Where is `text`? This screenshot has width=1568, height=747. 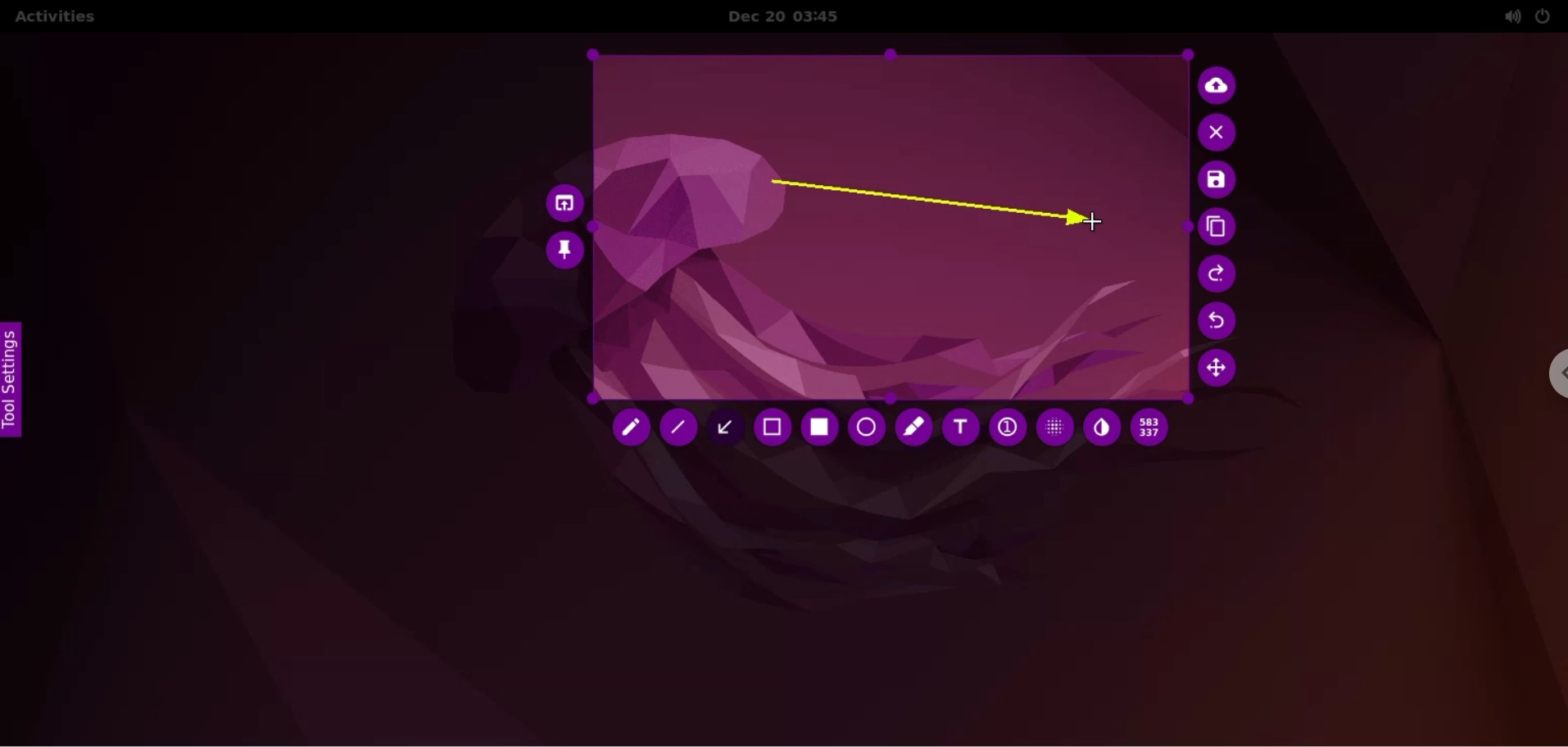 text is located at coordinates (961, 431).